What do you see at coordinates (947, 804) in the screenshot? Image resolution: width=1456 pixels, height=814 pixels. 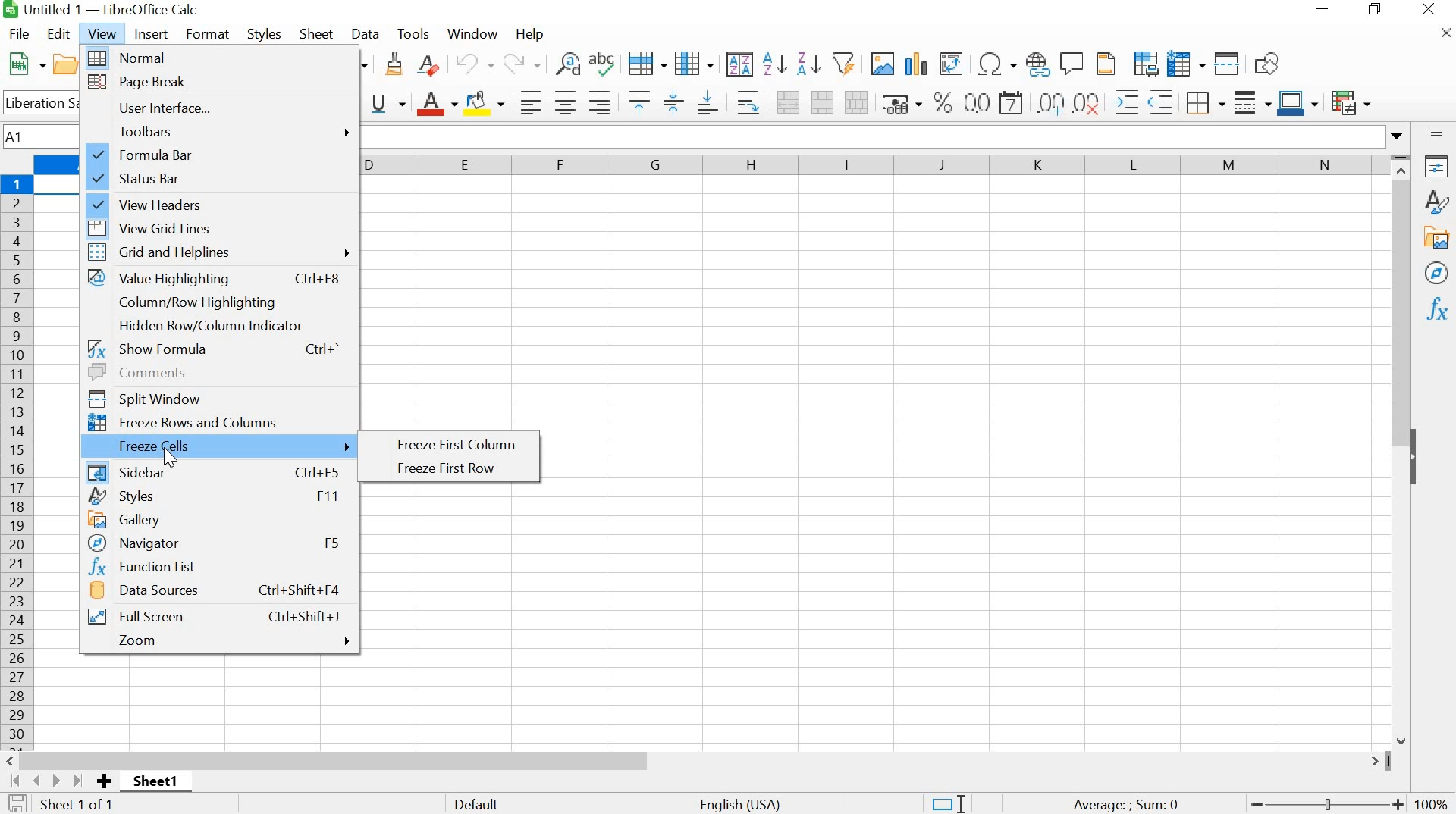 I see `STANDARD SELECTION` at bounding box center [947, 804].